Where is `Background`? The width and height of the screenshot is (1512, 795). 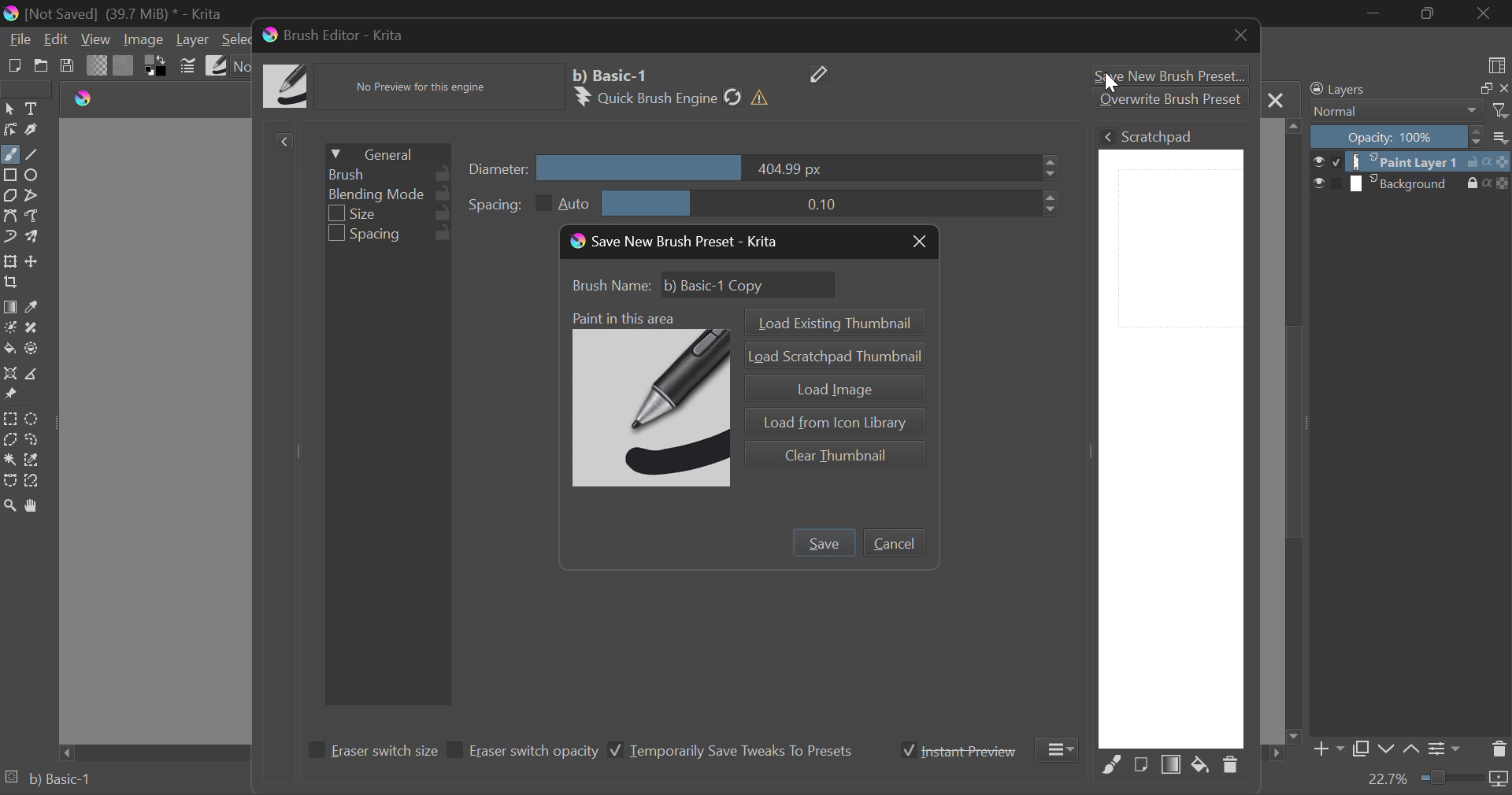 Background is located at coordinates (1411, 183).